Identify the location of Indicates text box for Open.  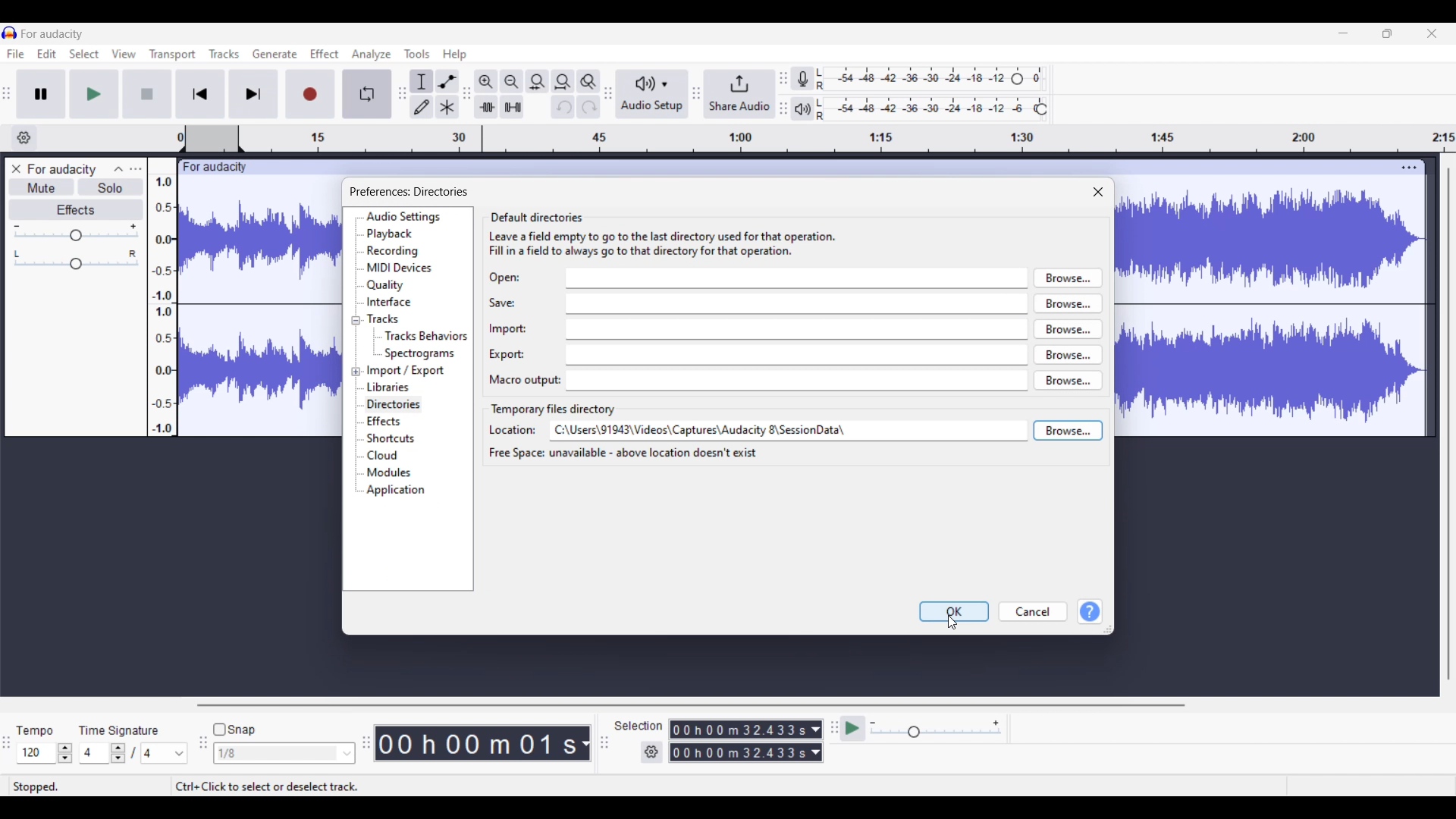
(505, 278).